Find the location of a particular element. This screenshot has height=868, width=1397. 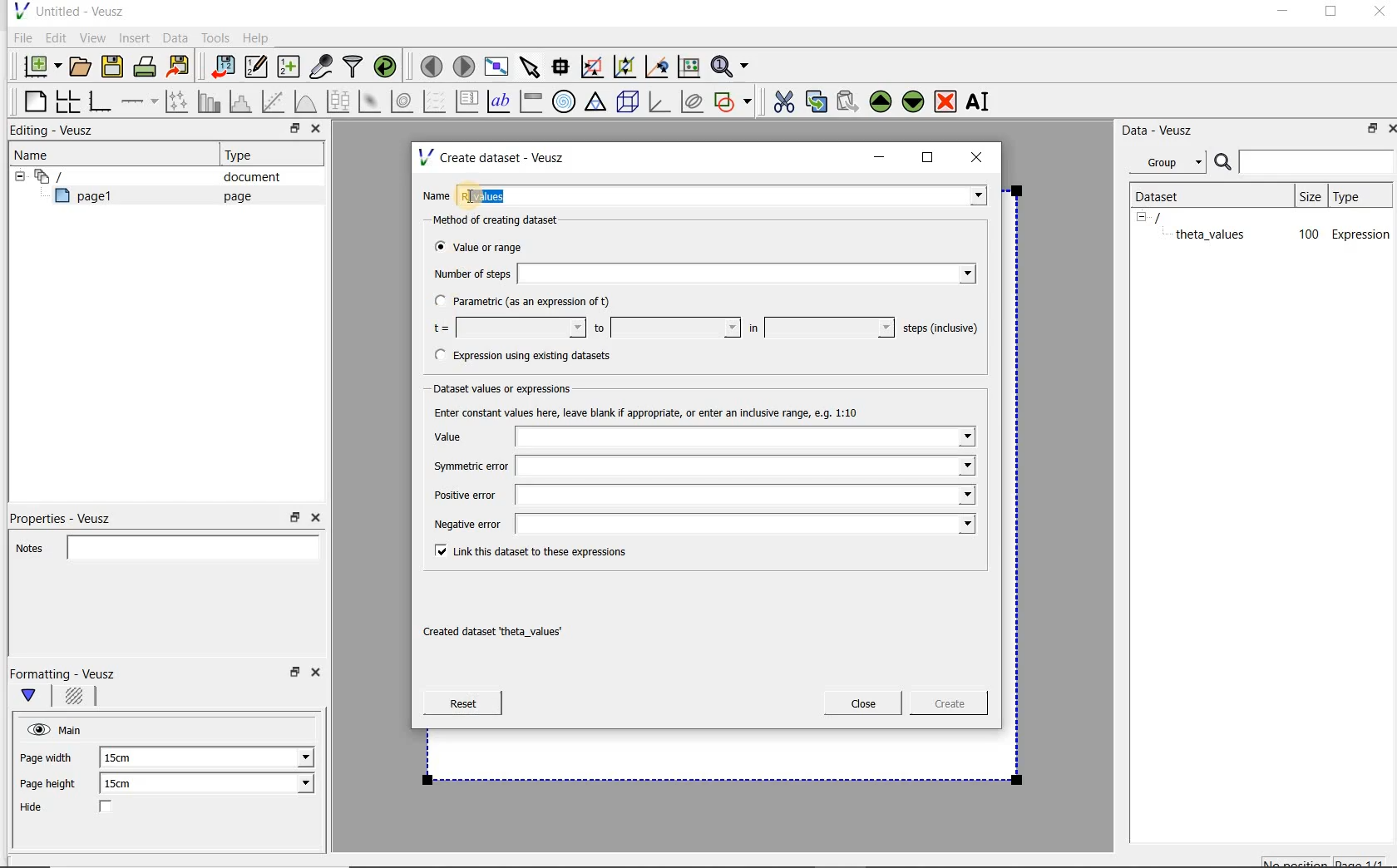

Editing - Veusz is located at coordinates (56, 131).